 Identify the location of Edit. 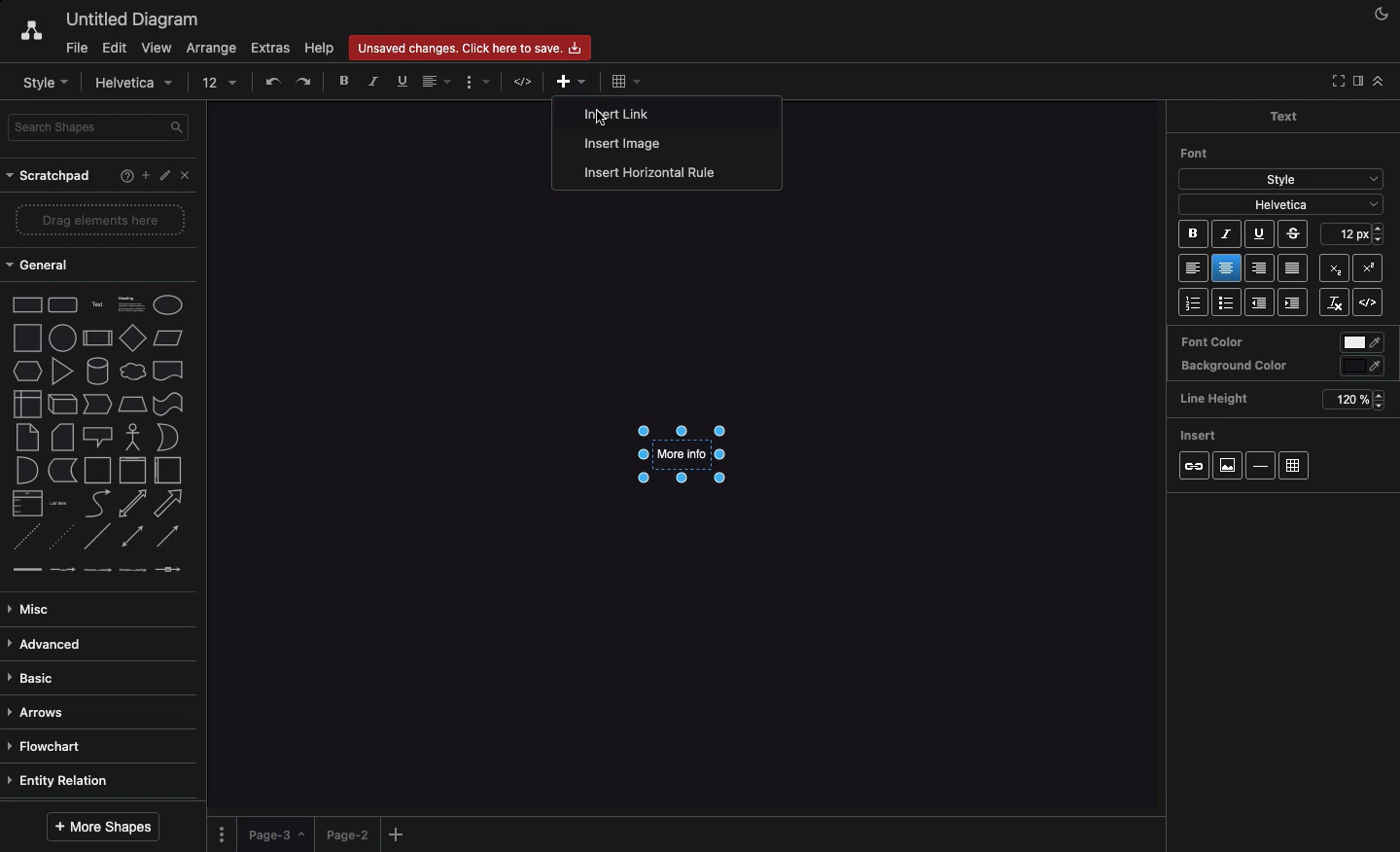
(166, 176).